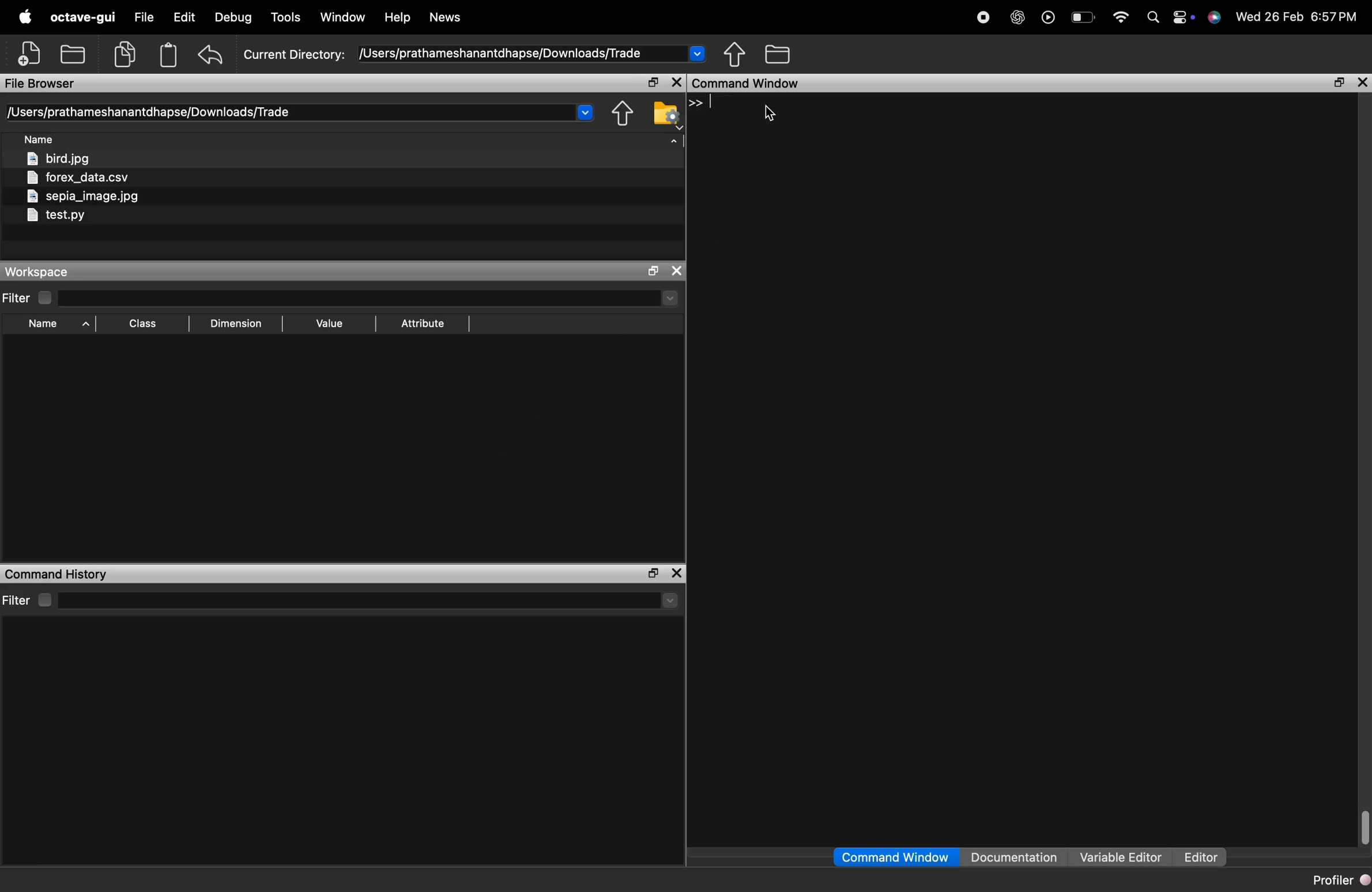 Image resolution: width=1372 pixels, height=892 pixels. What do you see at coordinates (371, 298) in the screenshot?
I see `select directory` at bounding box center [371, 298].